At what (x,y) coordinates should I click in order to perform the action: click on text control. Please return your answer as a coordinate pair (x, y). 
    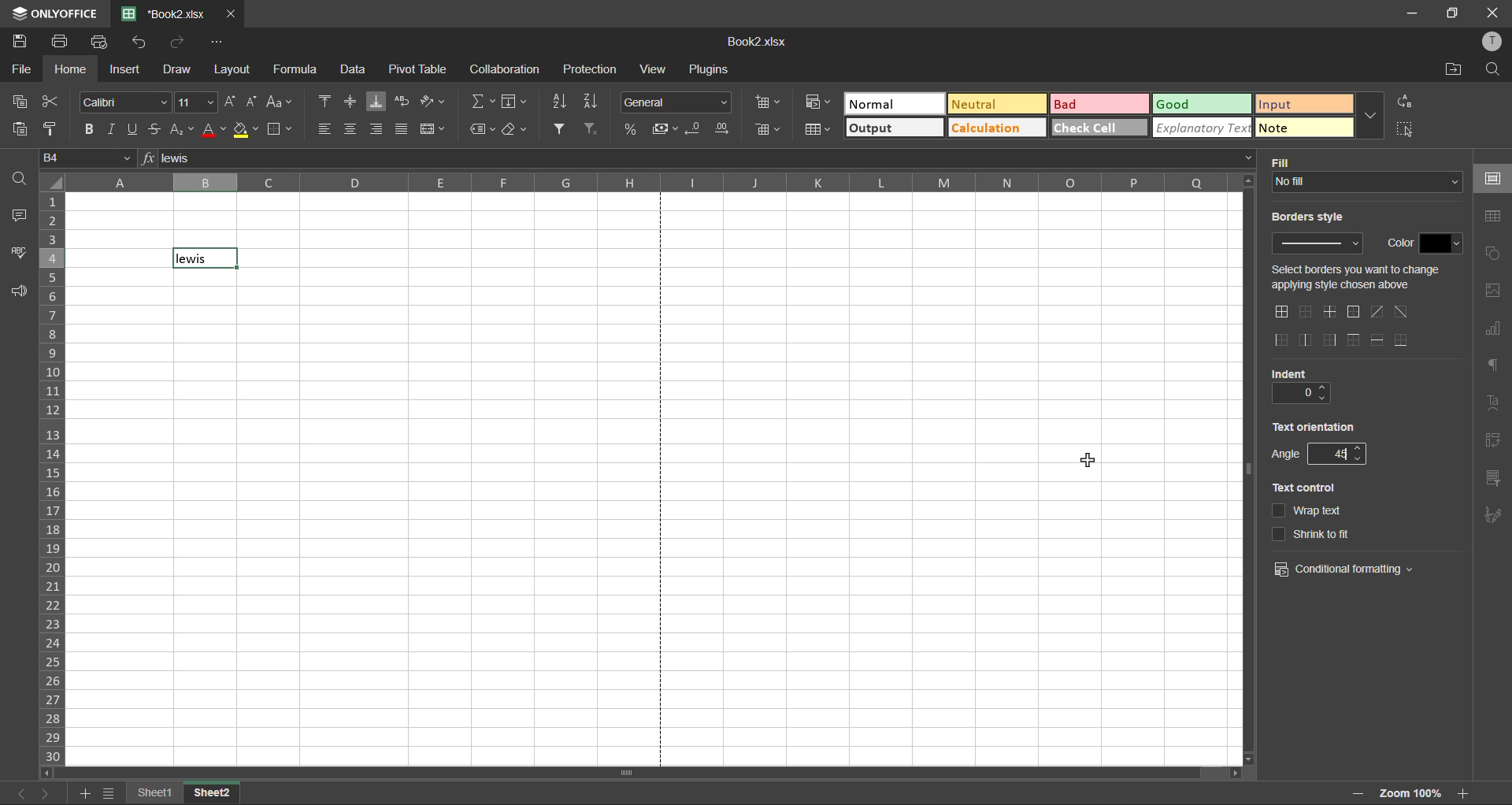
    Looking at the image, I should click on (1307, 488).